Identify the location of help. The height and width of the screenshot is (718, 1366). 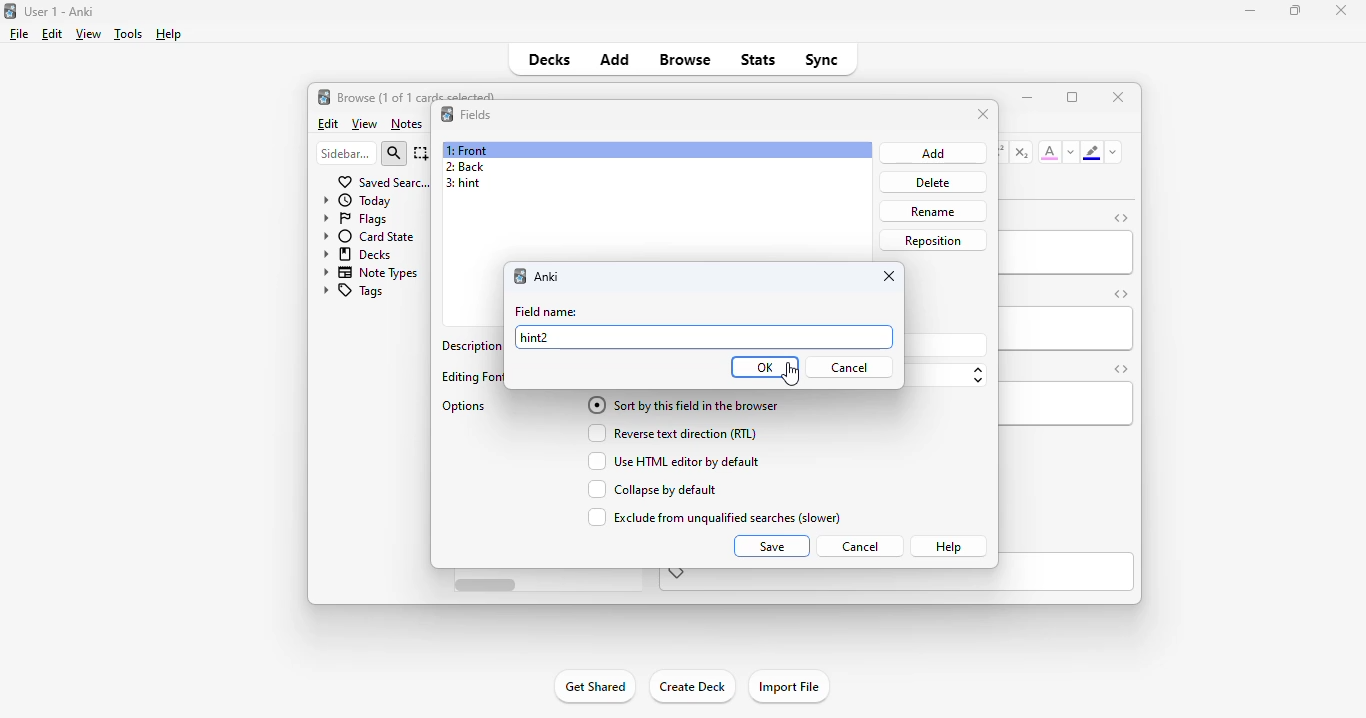
(167, 34).